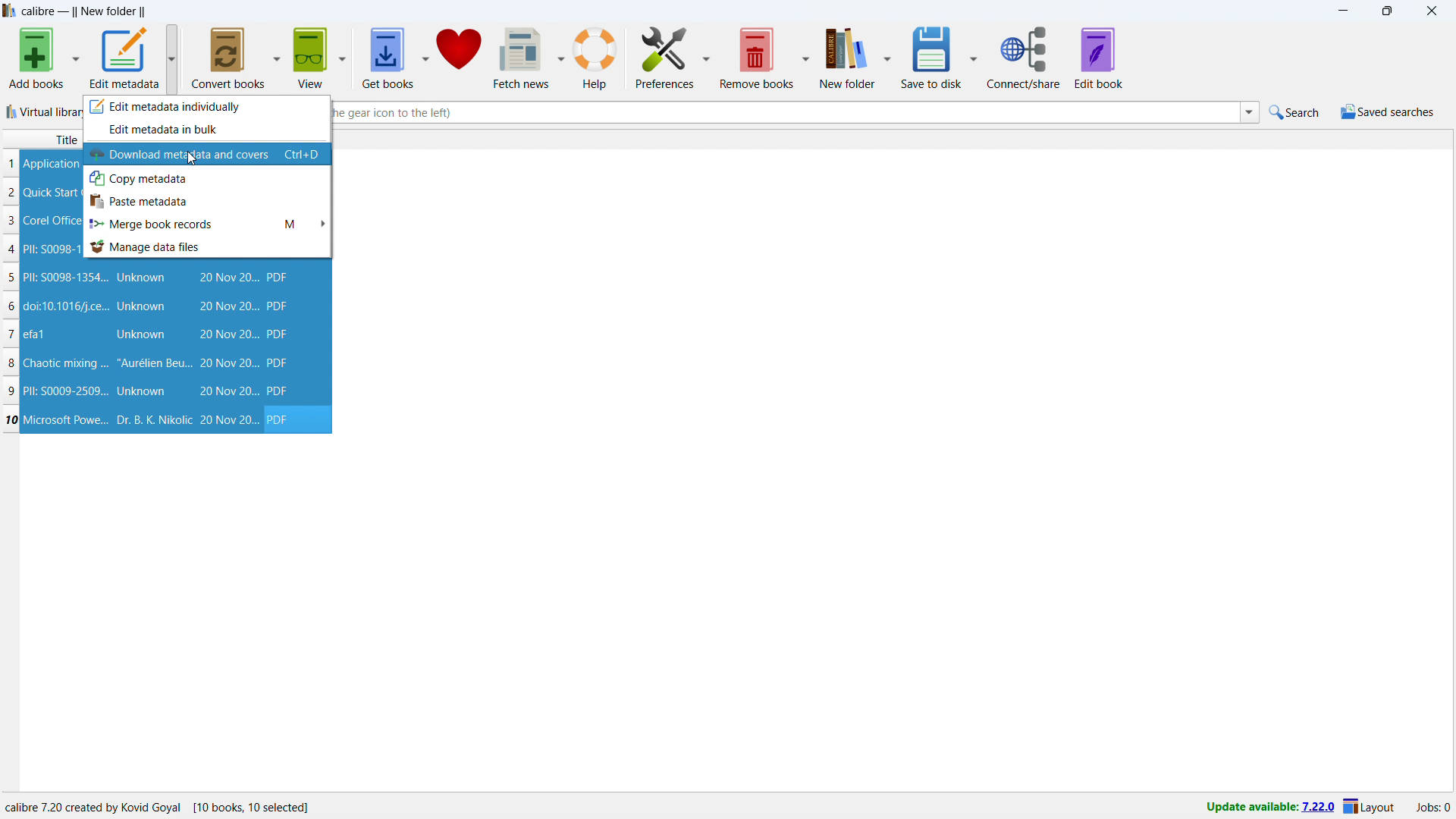  Describe the element at coordinates (141, 391) in the screenshot. I see `Unknown` at that location.